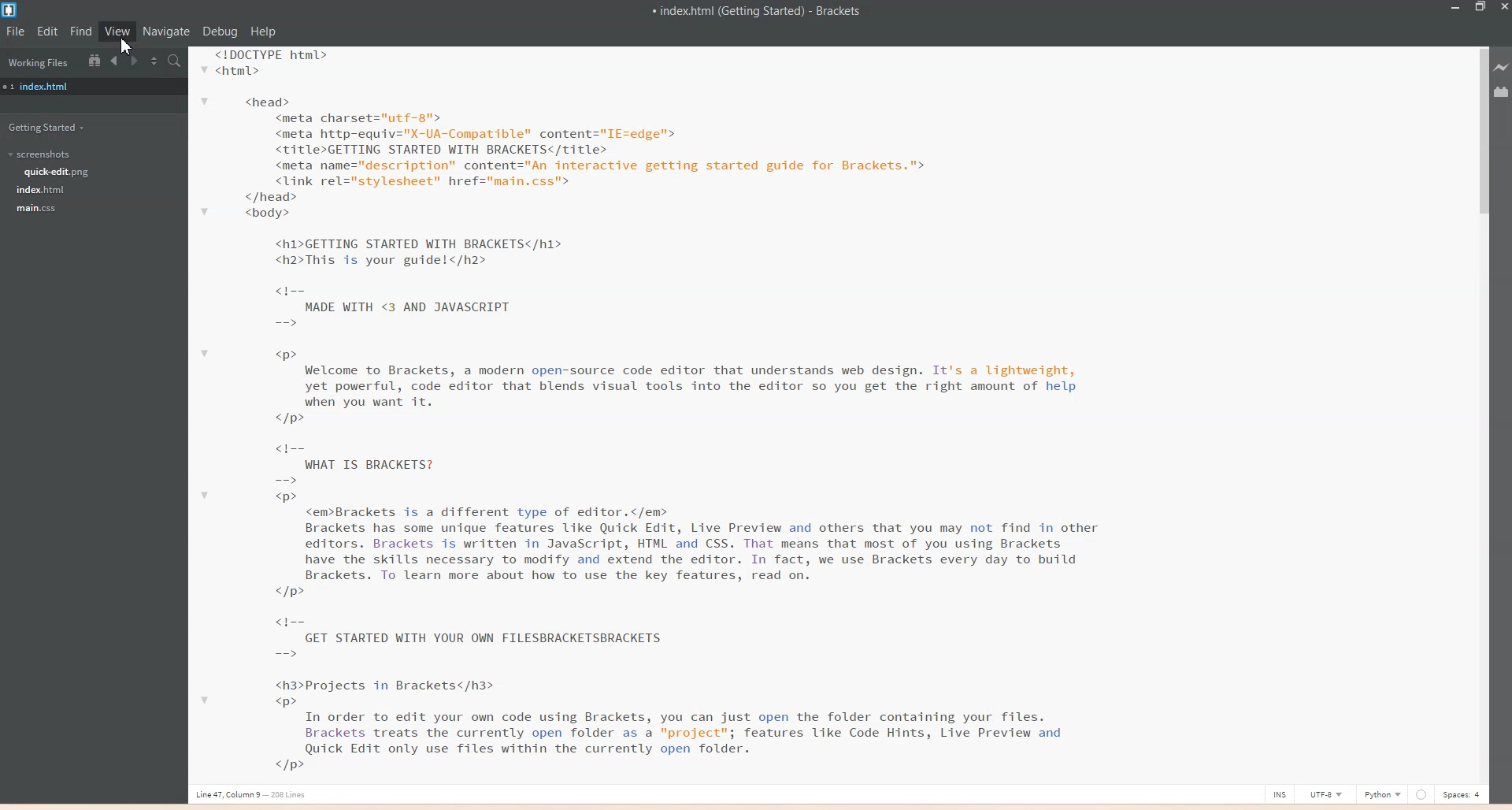  I want to click on Minimize , so click(1456, 9).